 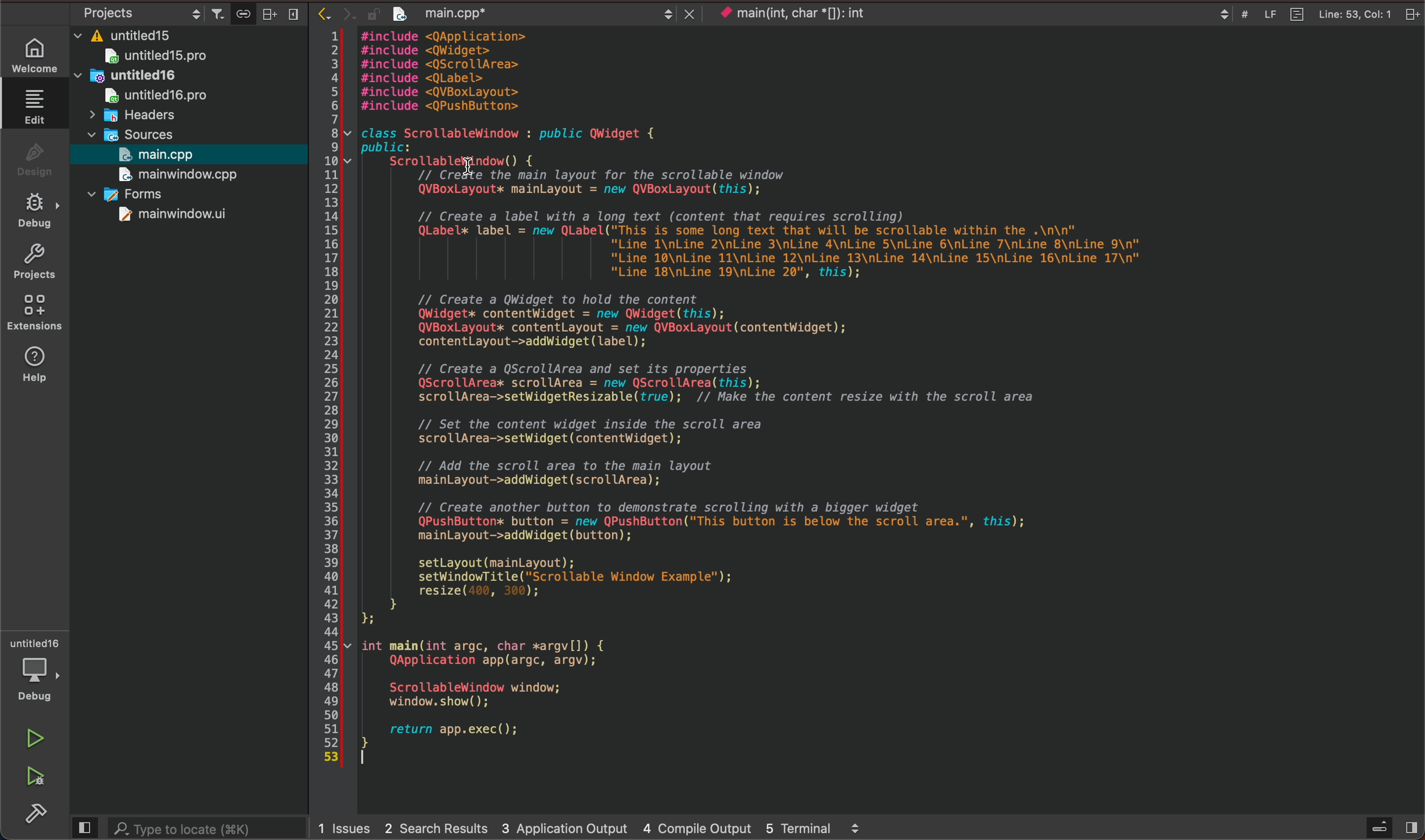 What do you see at coordinates (29, 775) in the screenshot?
I see `run and debug` at bounding box center [29, 775].